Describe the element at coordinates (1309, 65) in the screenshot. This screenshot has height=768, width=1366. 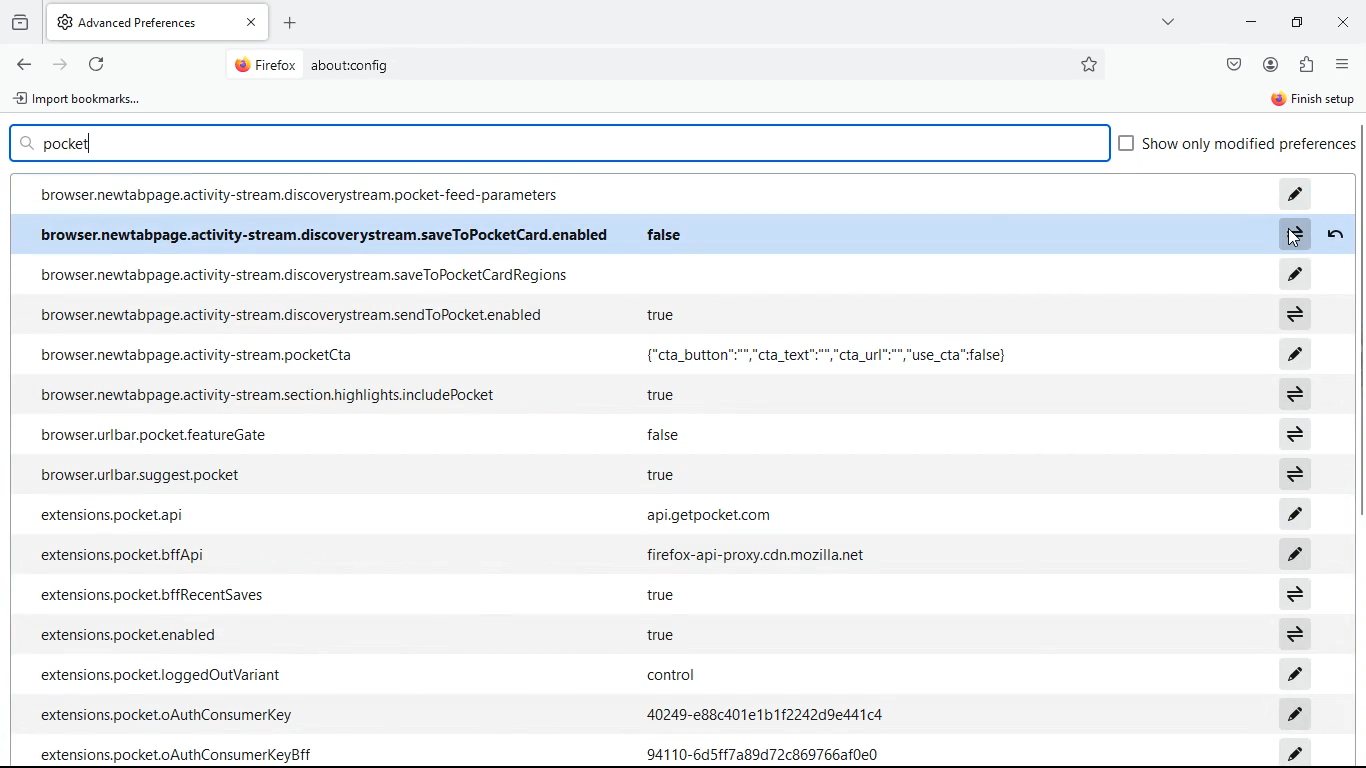
I see `extentions` at that location.